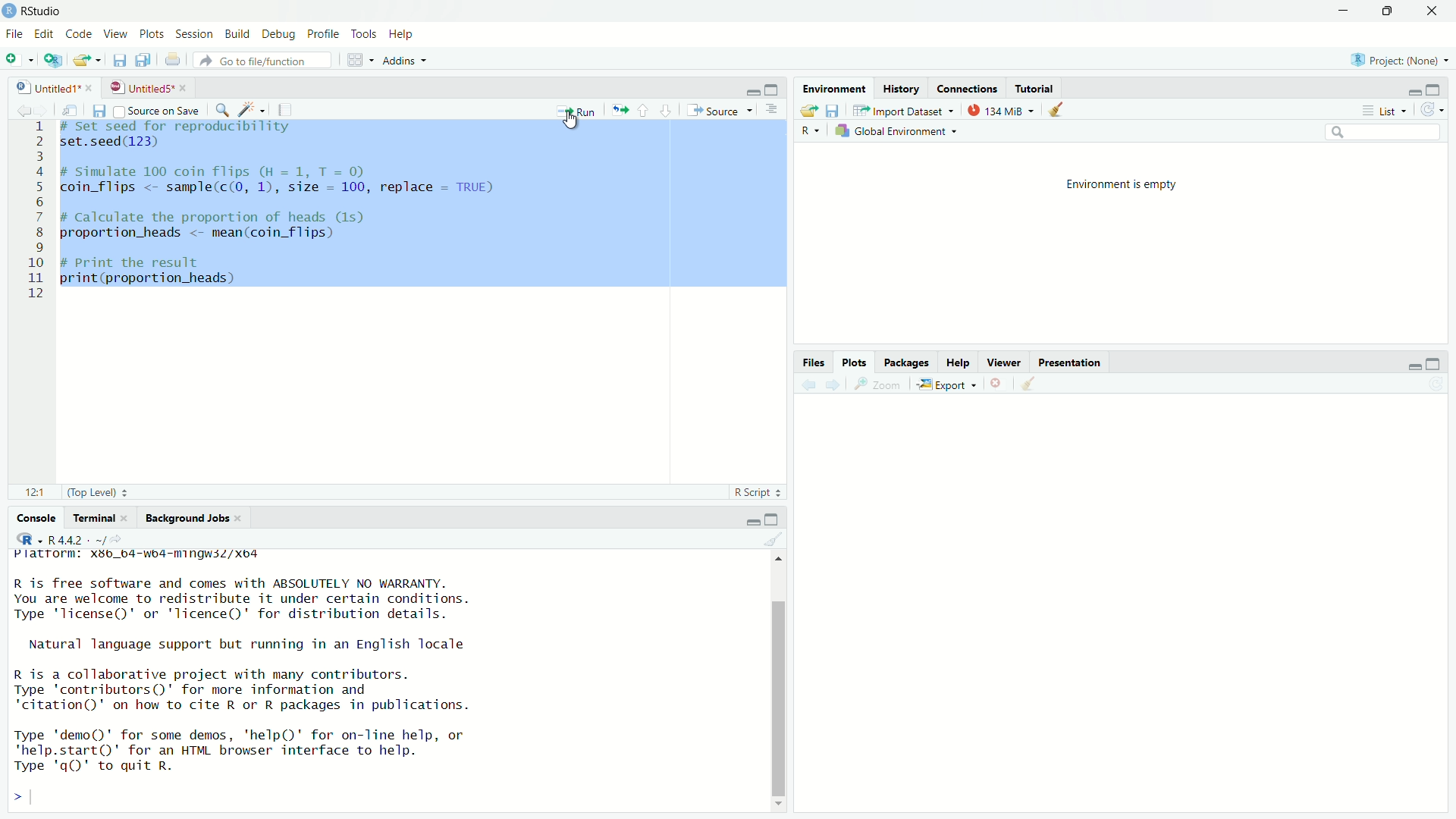 This screenshot has width=1456, height=819. I want to click on view the current working directory, so click(129, 540).